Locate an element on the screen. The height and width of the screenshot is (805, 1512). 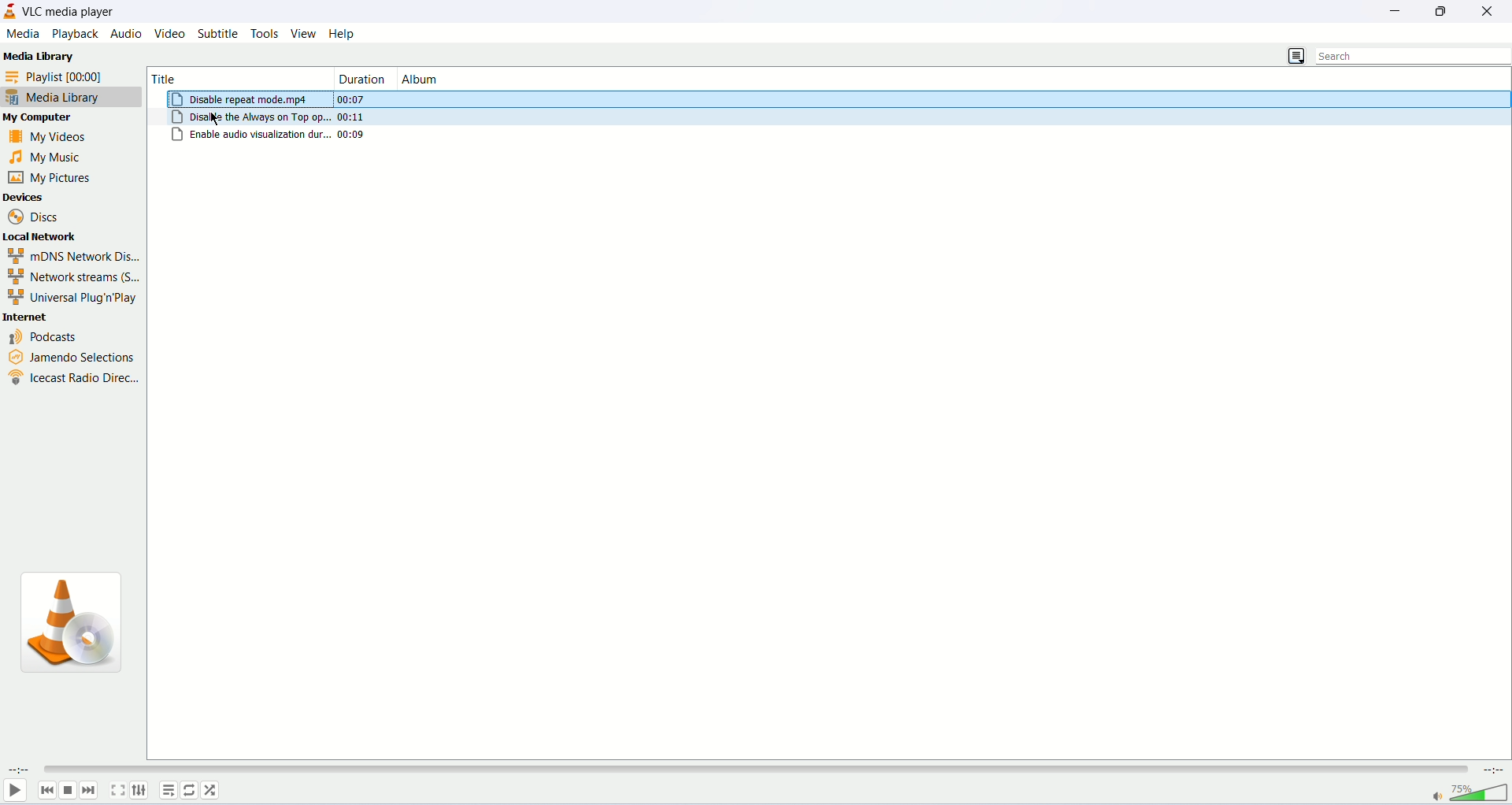
play is located at coordinates (13, 791).